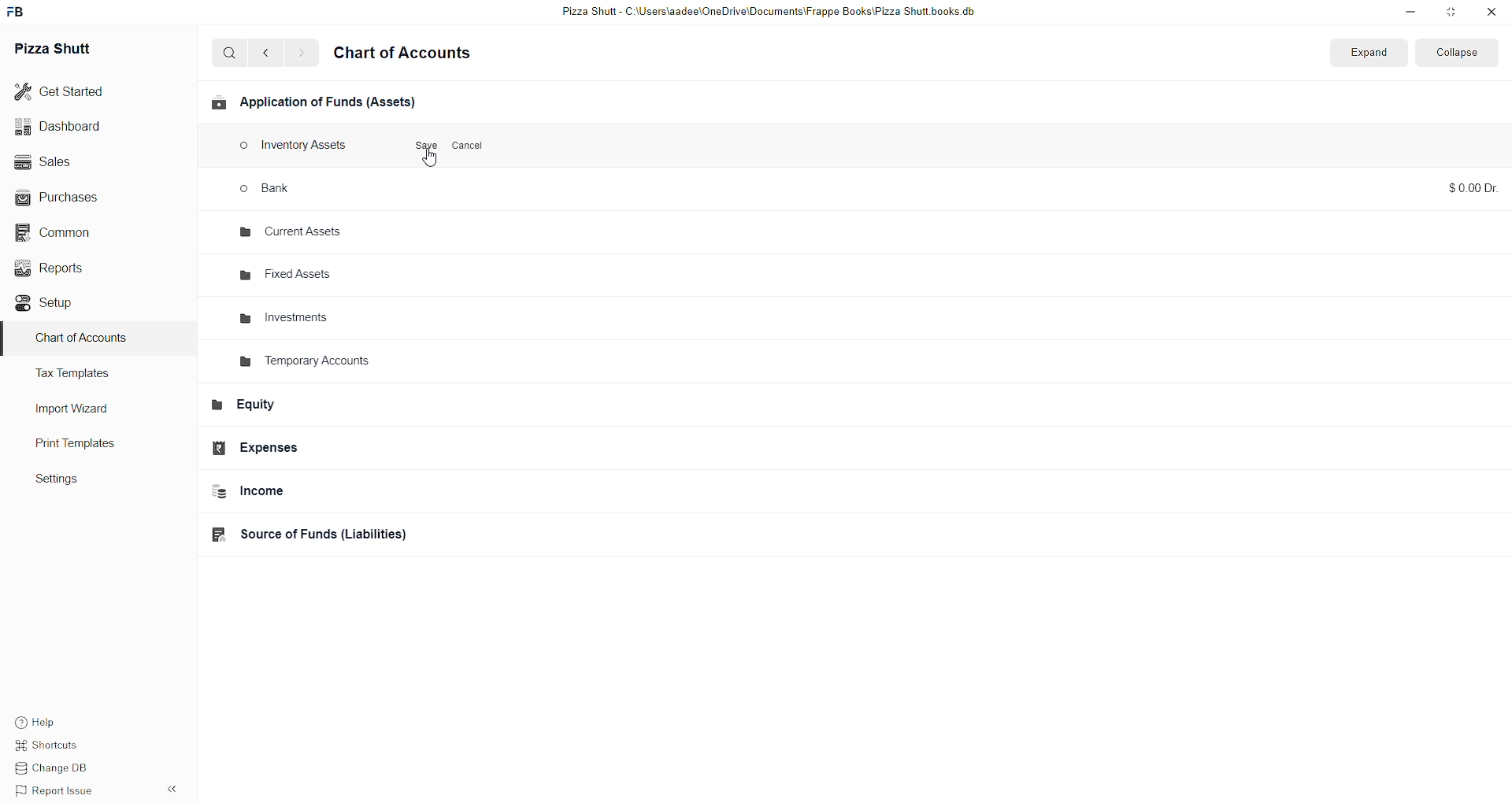 This screenshot has height=803, width=1512. Describe the element at coordinates (91, 445) in the screenshot. I see `Print Templates ` at that location.